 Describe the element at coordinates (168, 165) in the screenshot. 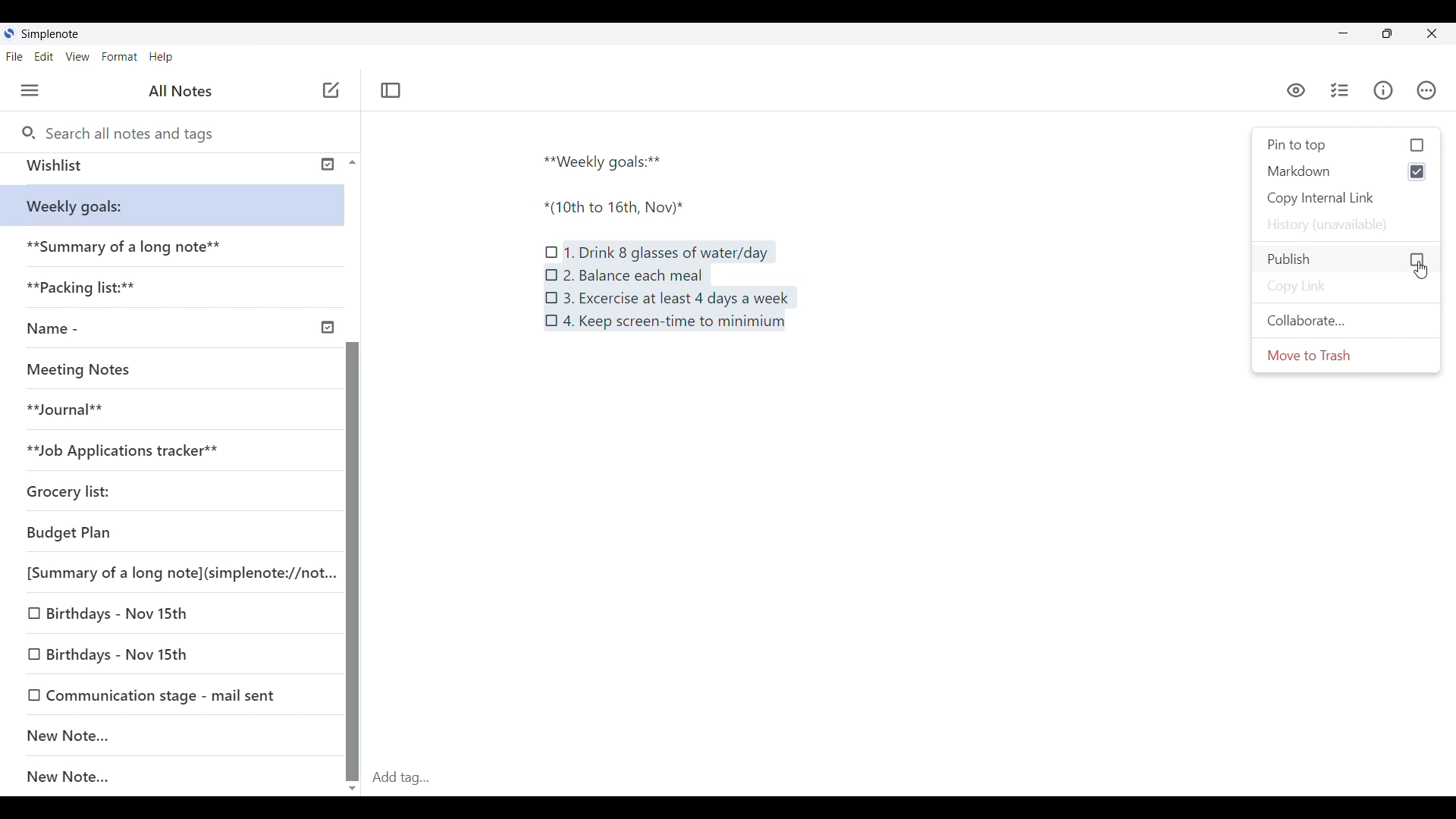

I see `Wishlist` at that location.